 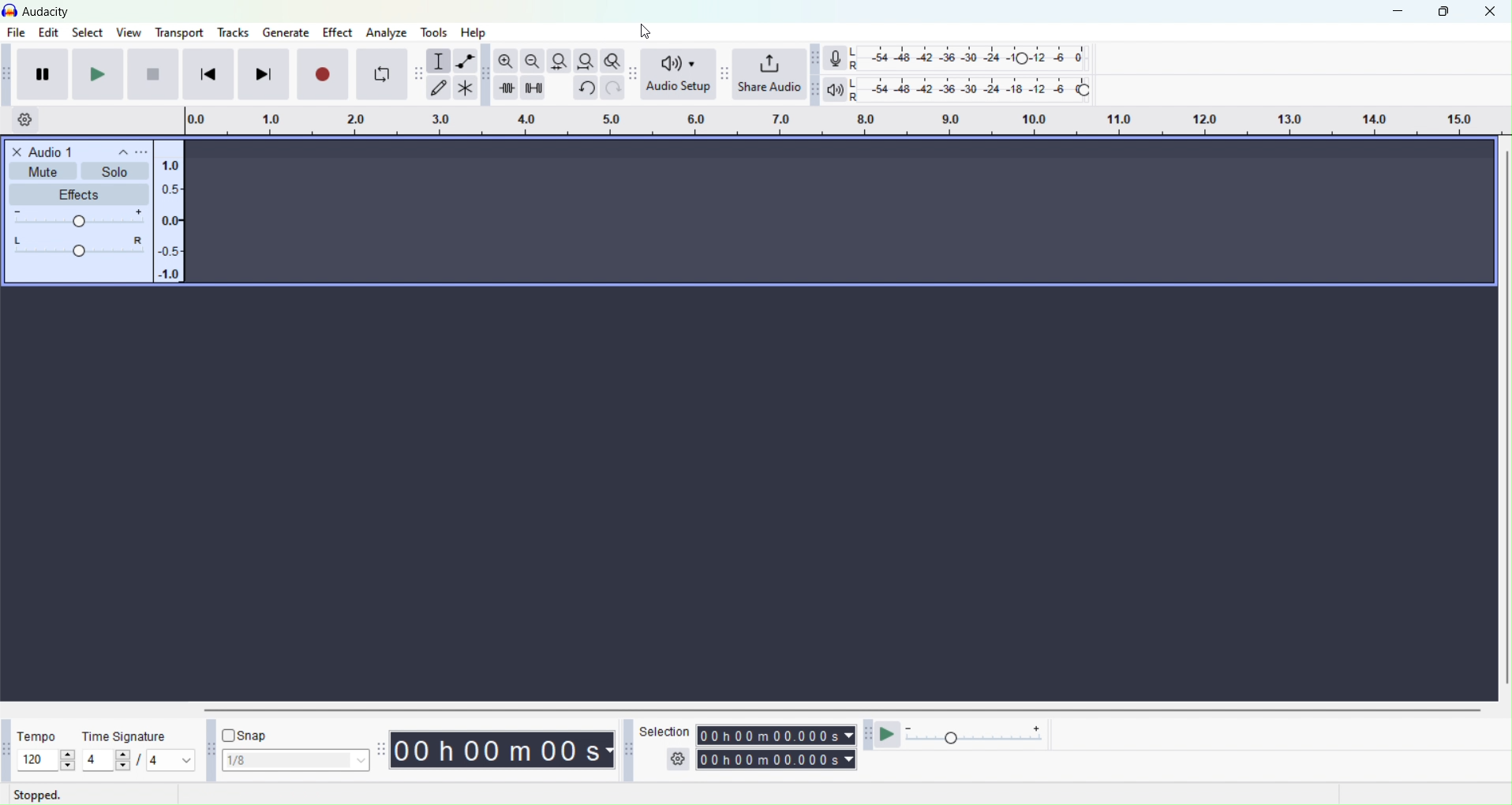 What do you see at coordinates (414, 72) in the screenshot?
I see `Draw tool` at bounding box center [414, 72].